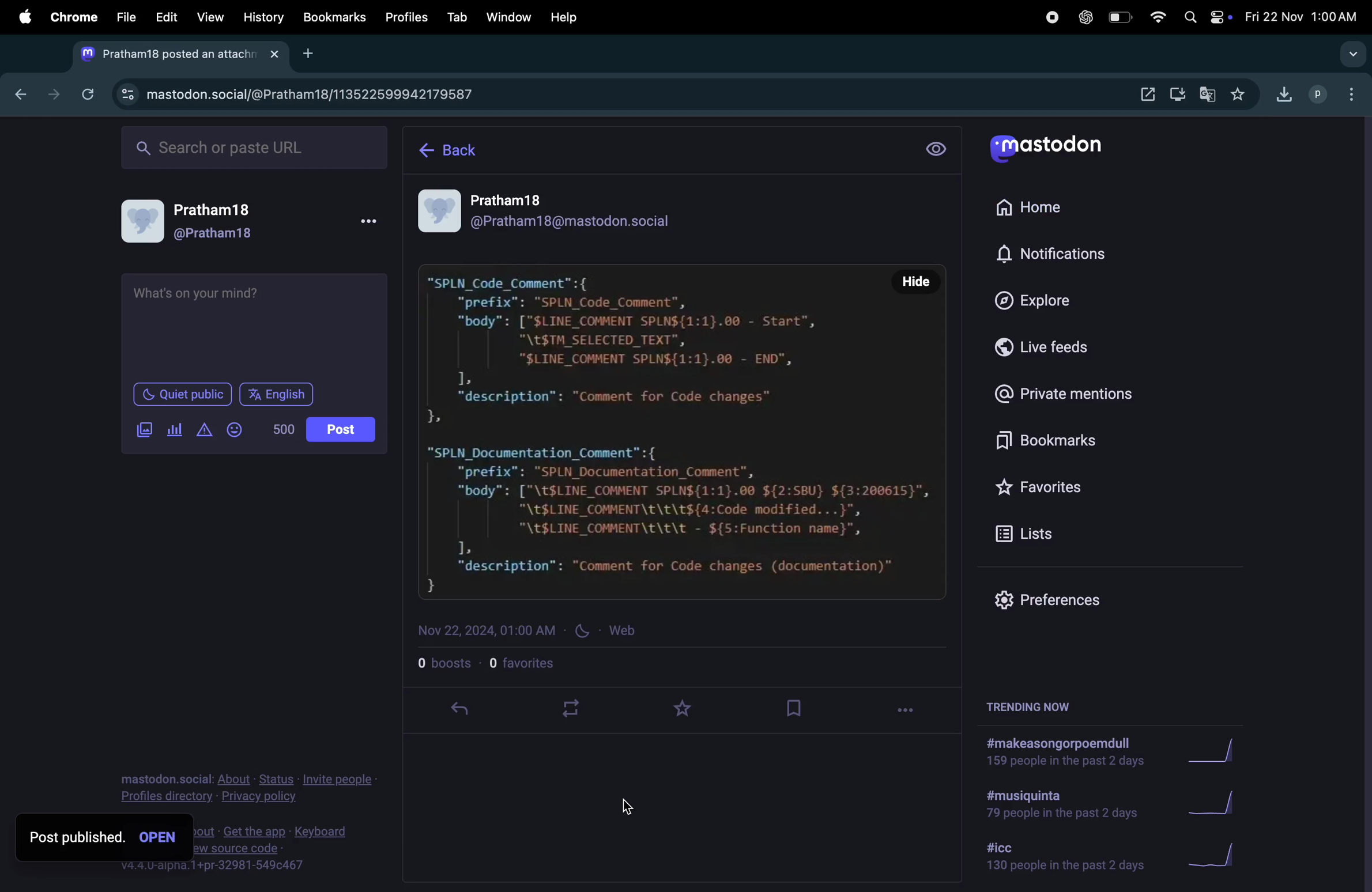 The width and height of the screenshot is (1372, 892). What do you see at coordinates (1348, 91) in the screenshot?
I see `options` at bounding box center [1348, 91].